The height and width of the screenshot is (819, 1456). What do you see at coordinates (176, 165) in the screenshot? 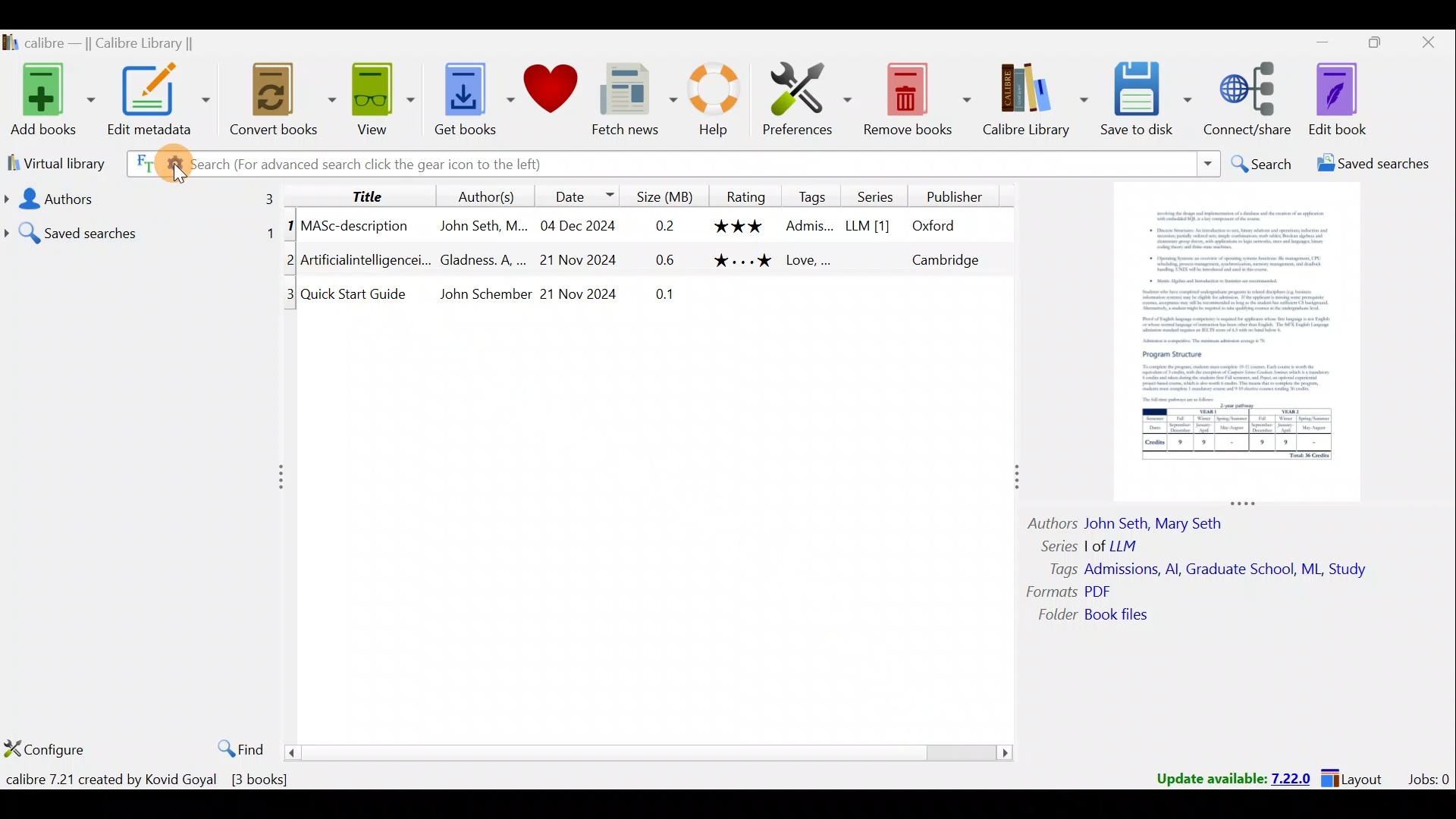
I see `Cursor` at bounding box center [176, 165].